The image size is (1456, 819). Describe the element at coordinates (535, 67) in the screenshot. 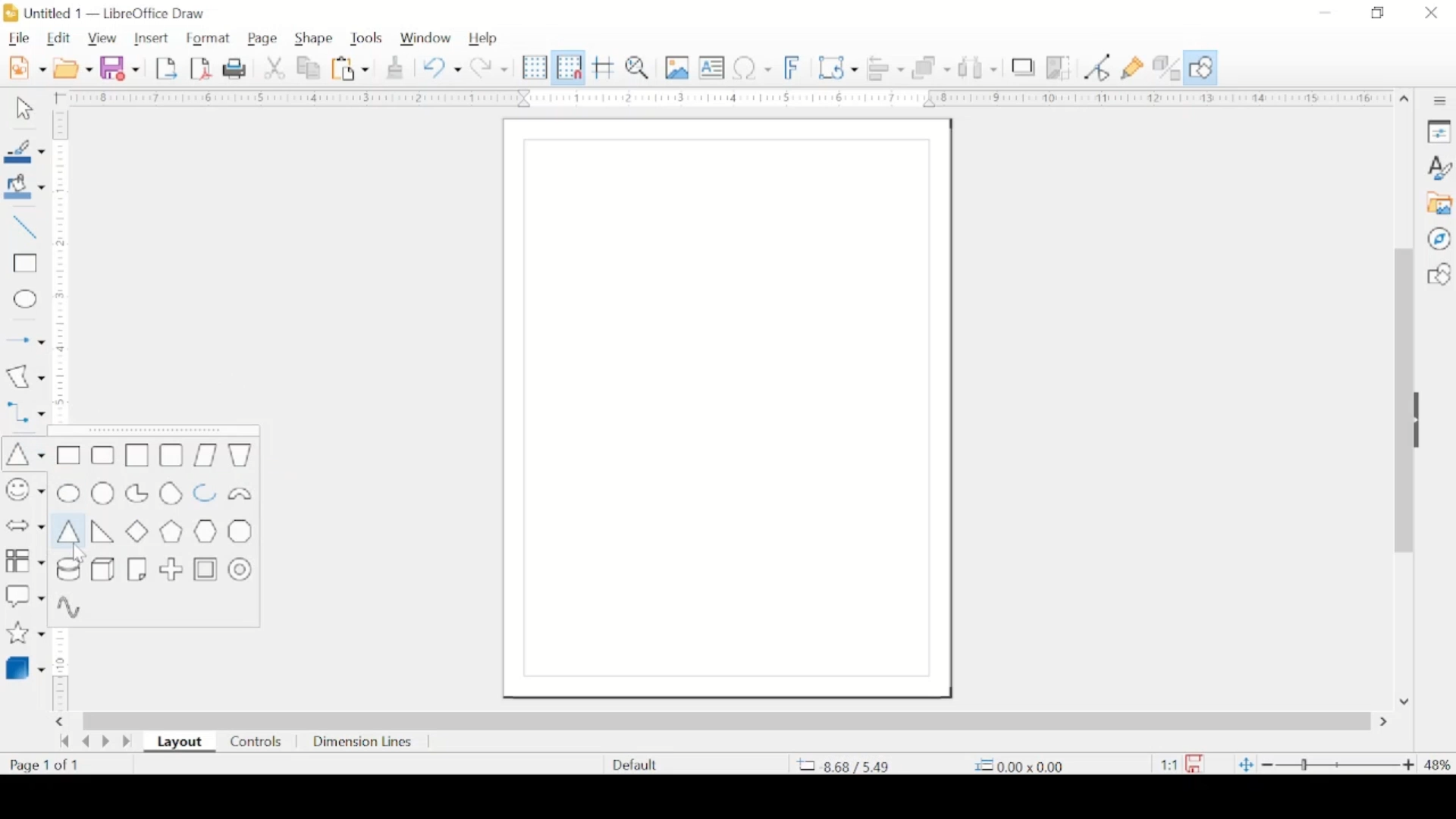

I see `display grid` at that location.